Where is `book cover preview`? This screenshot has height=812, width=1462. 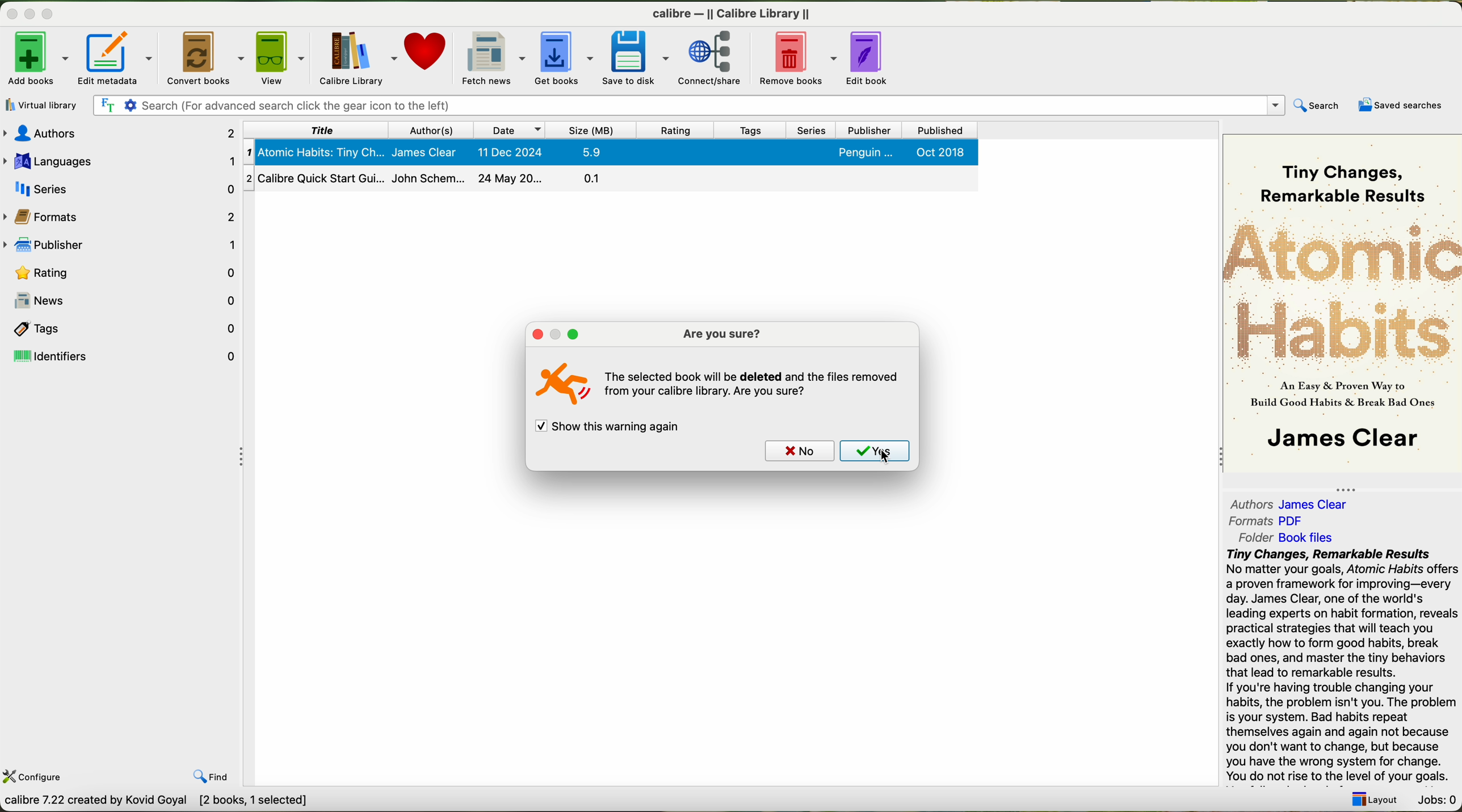 book cover preview is located at coordinates (1342, 305).